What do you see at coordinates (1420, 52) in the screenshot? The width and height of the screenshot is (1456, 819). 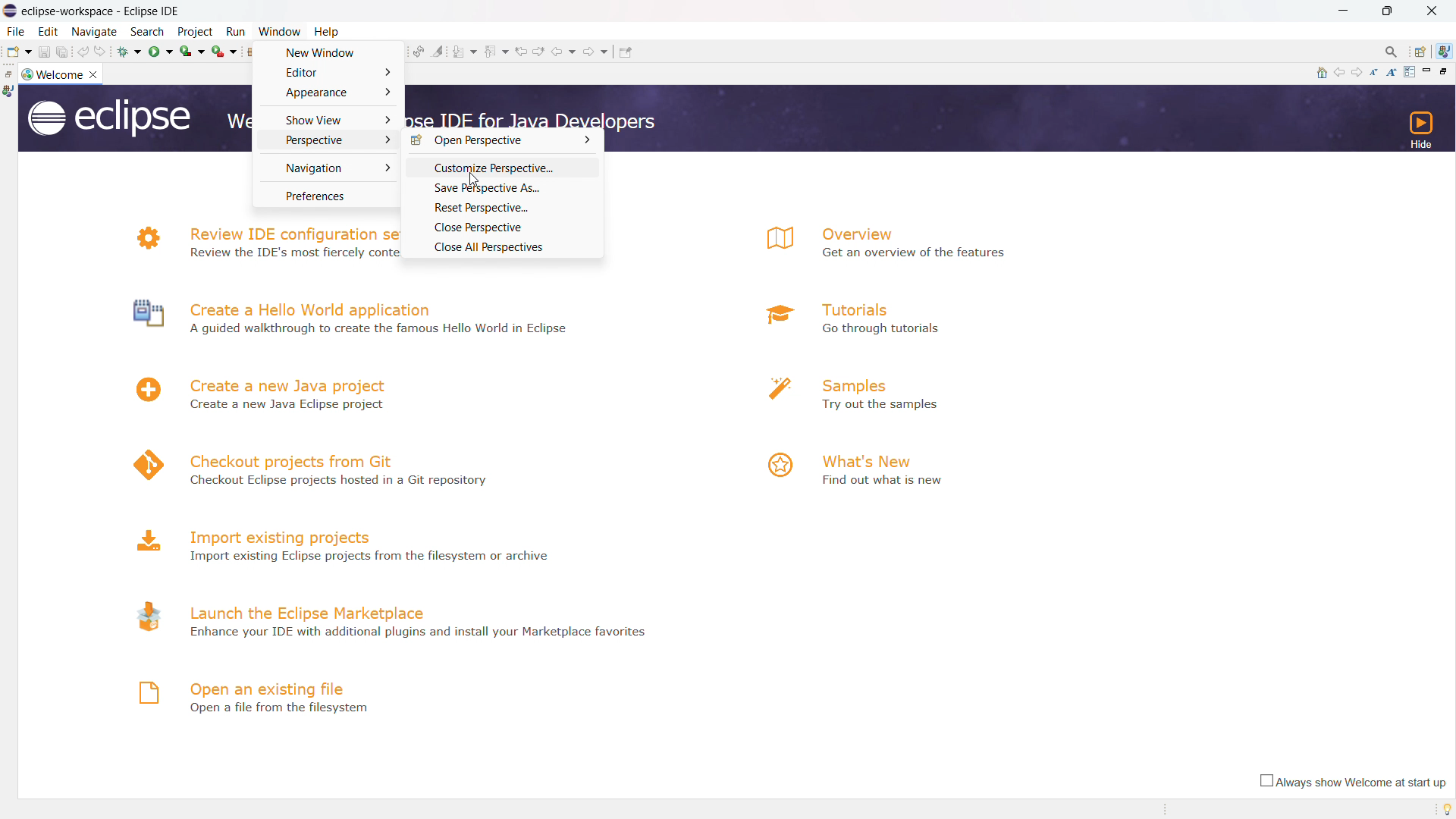 I see `open perspectives` at bounding box center [1420, 52].